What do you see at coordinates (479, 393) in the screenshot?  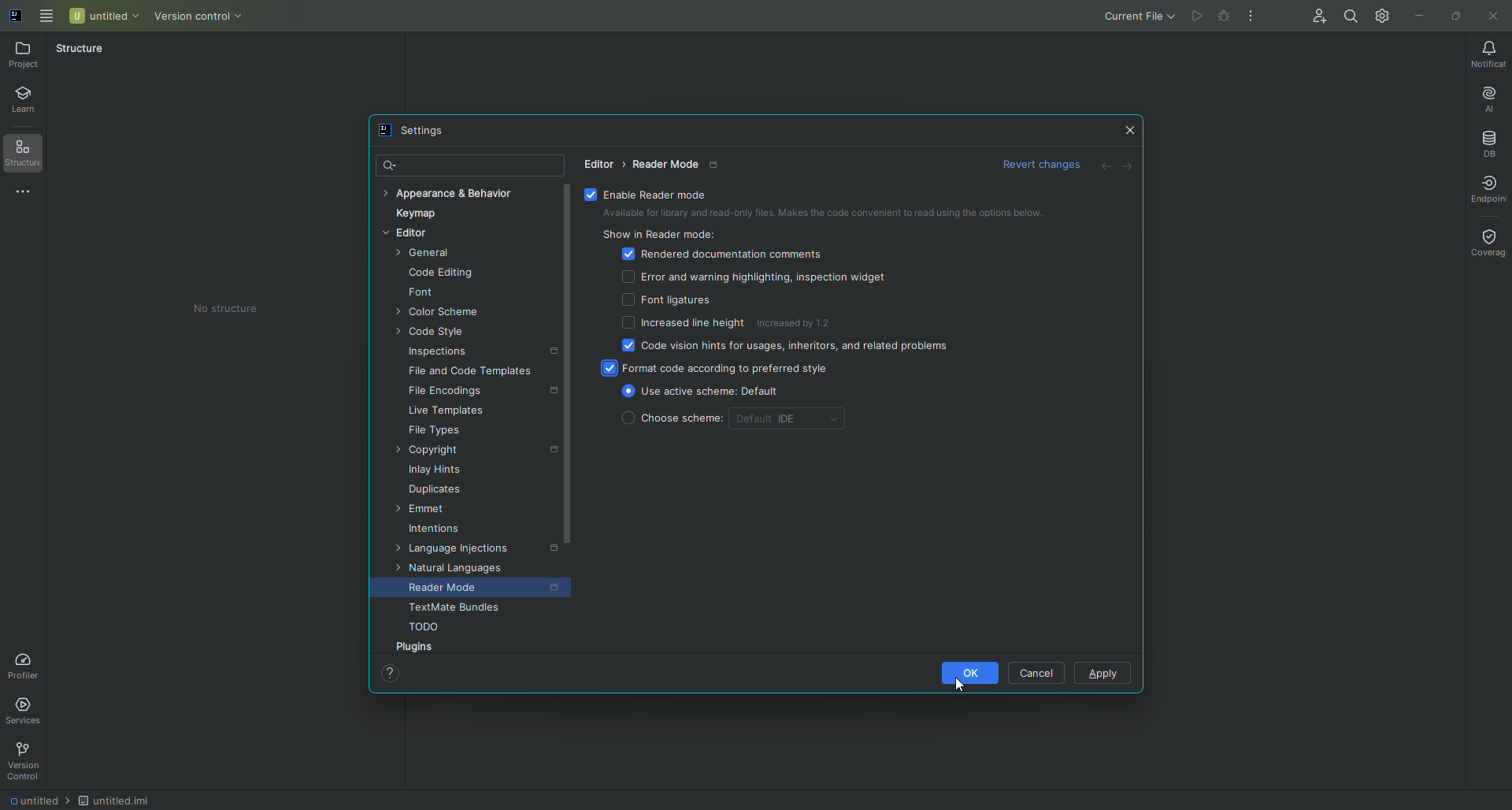 I see `File encodings` at bounding box center [479, 393].